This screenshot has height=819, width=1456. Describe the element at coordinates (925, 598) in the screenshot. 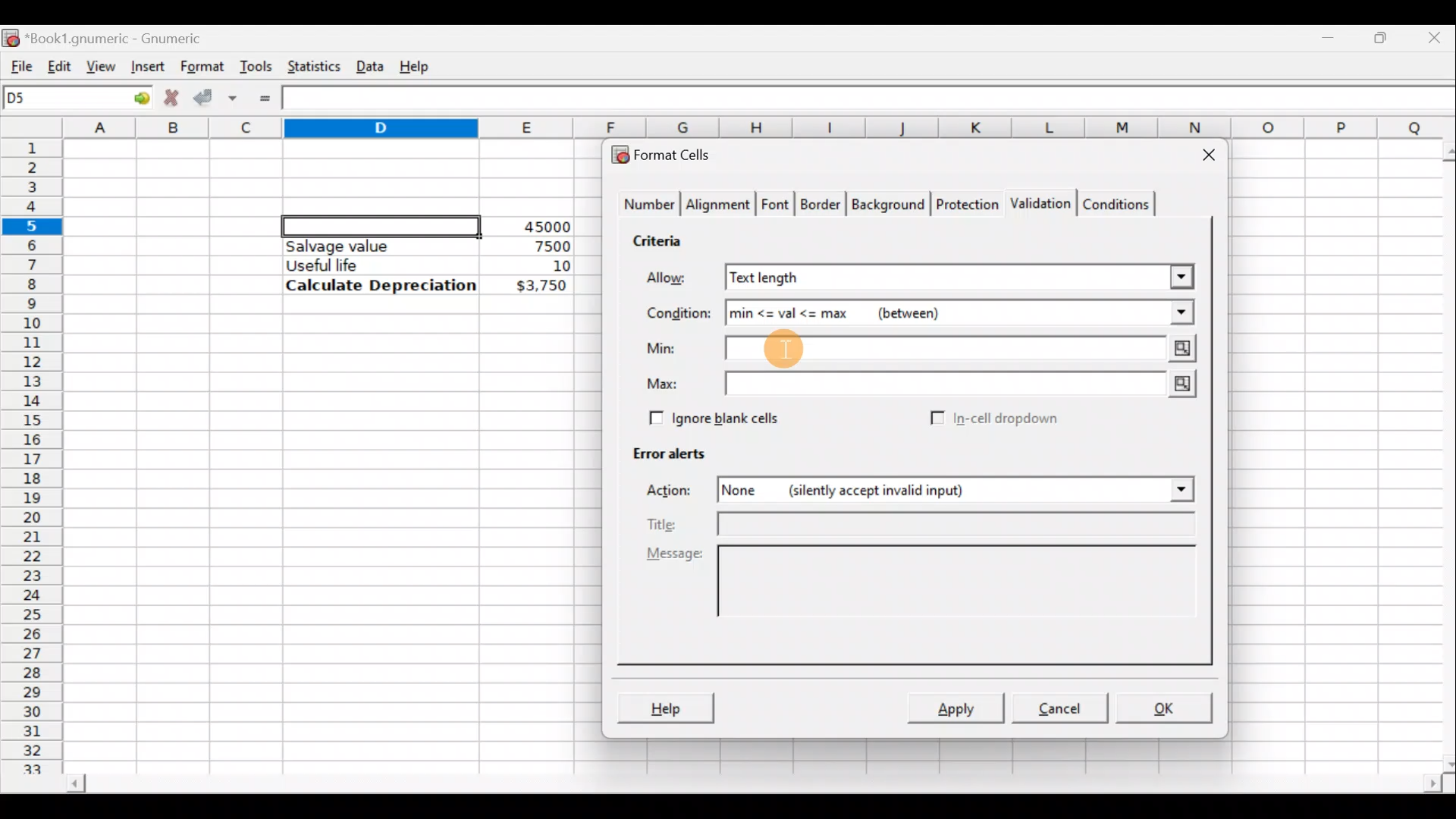

I see `Message` at that location.